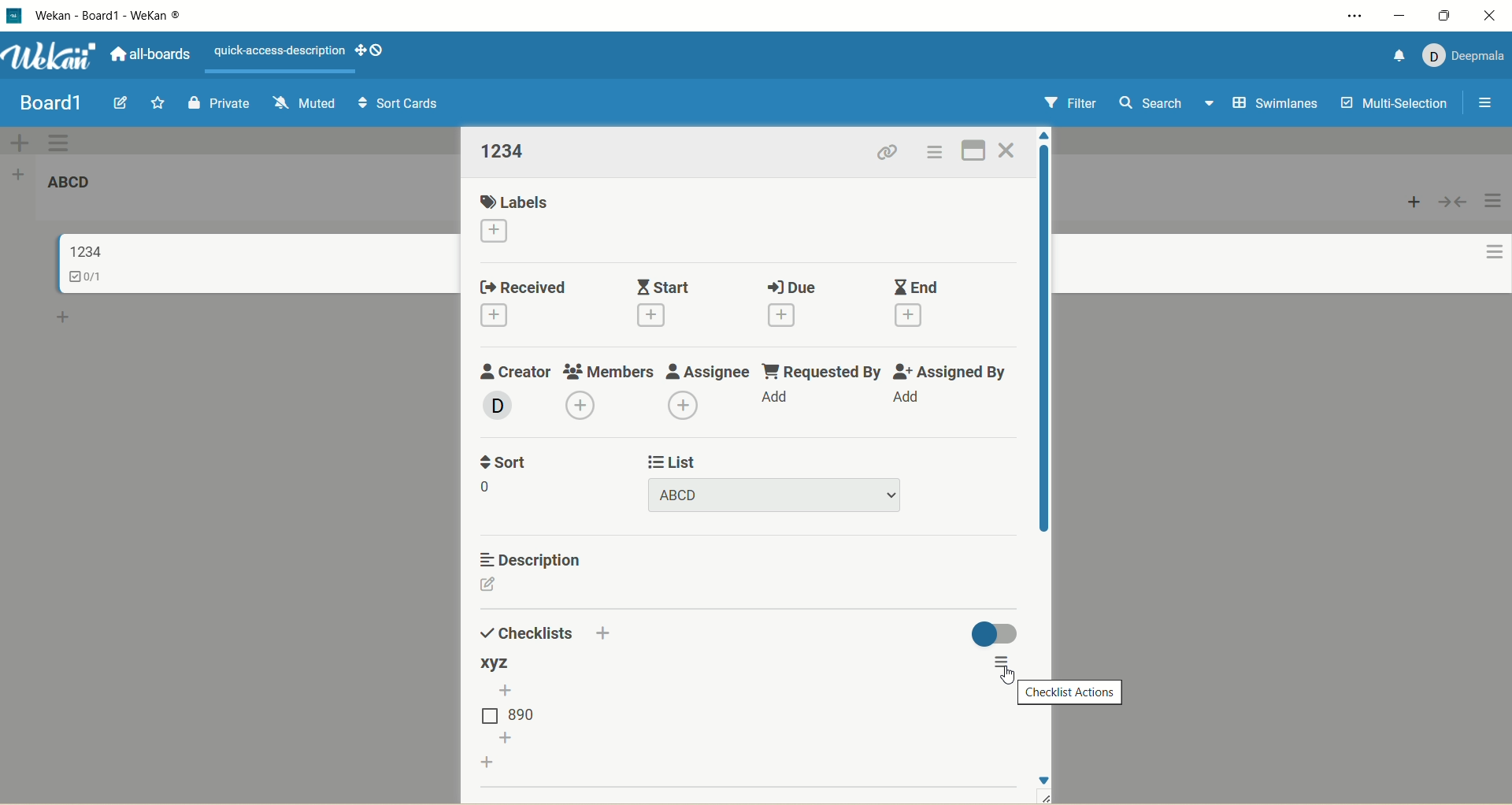  What do you see at coordinates (489, 488) in the screenshot?
I see `number` at bounding box center [489, 488].